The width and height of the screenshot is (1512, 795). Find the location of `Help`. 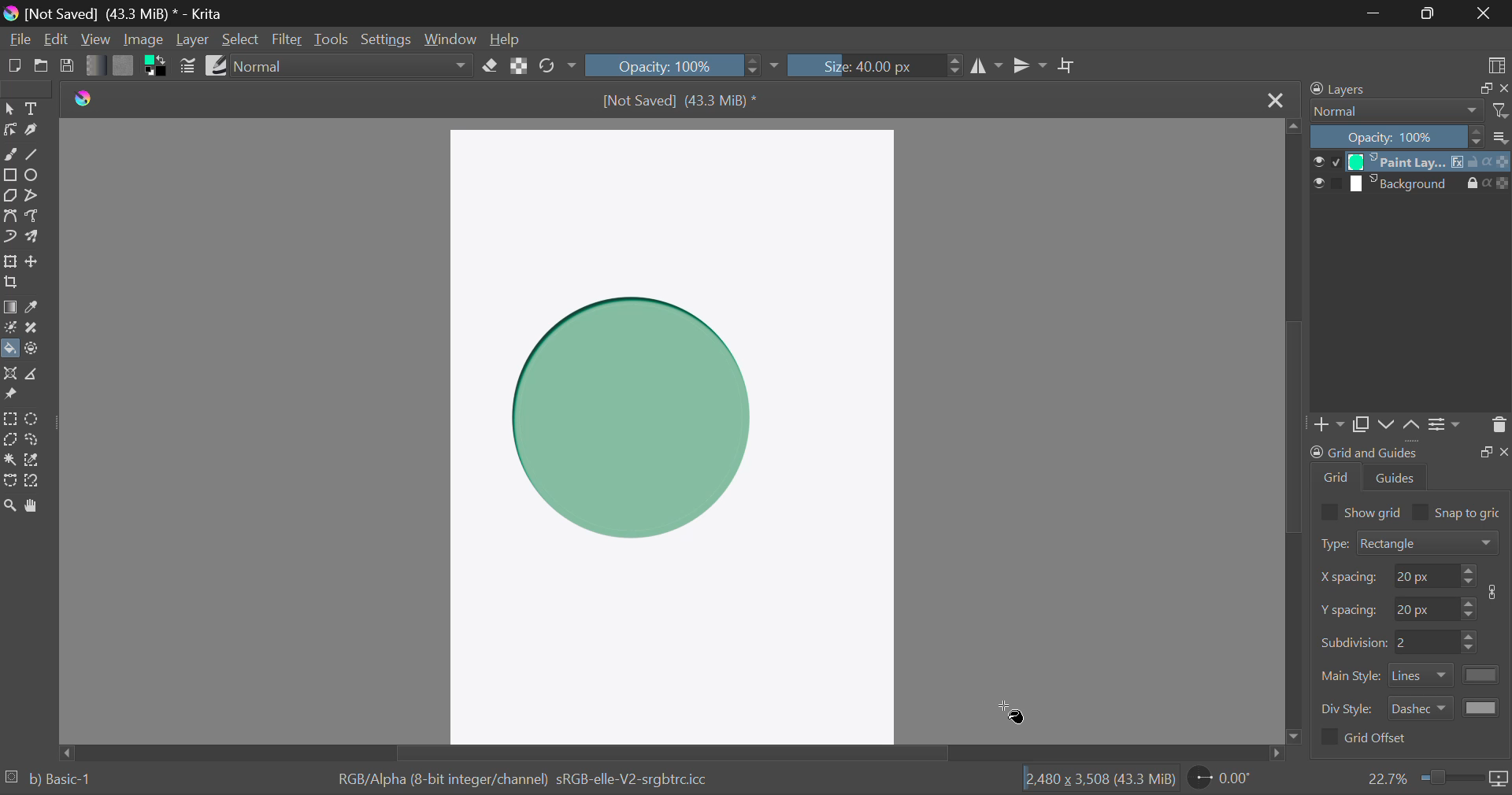

Help is located at coordinates (507, 41).